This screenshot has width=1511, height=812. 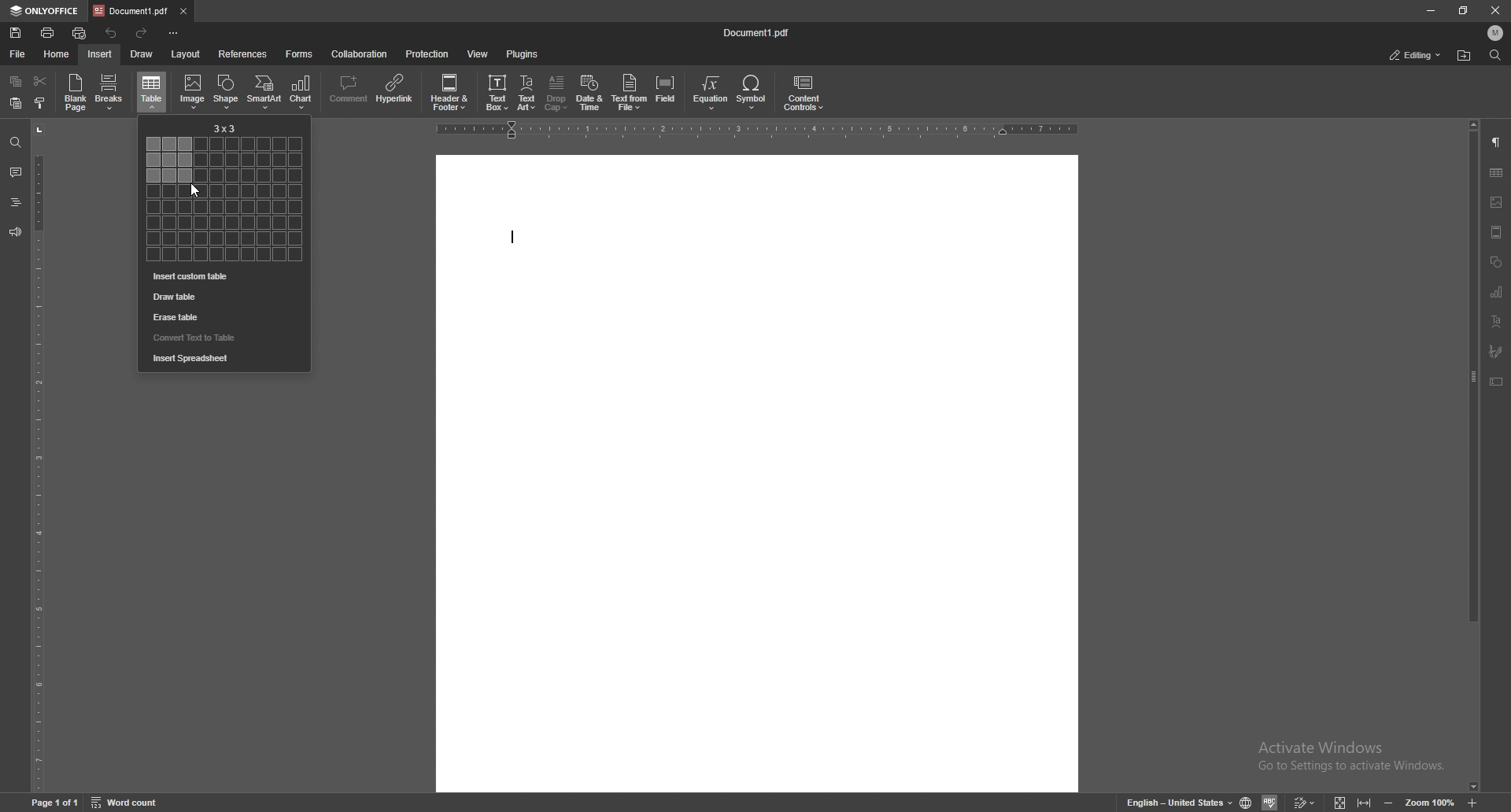 I want to click on change text language, so click(x=1179, y=802).